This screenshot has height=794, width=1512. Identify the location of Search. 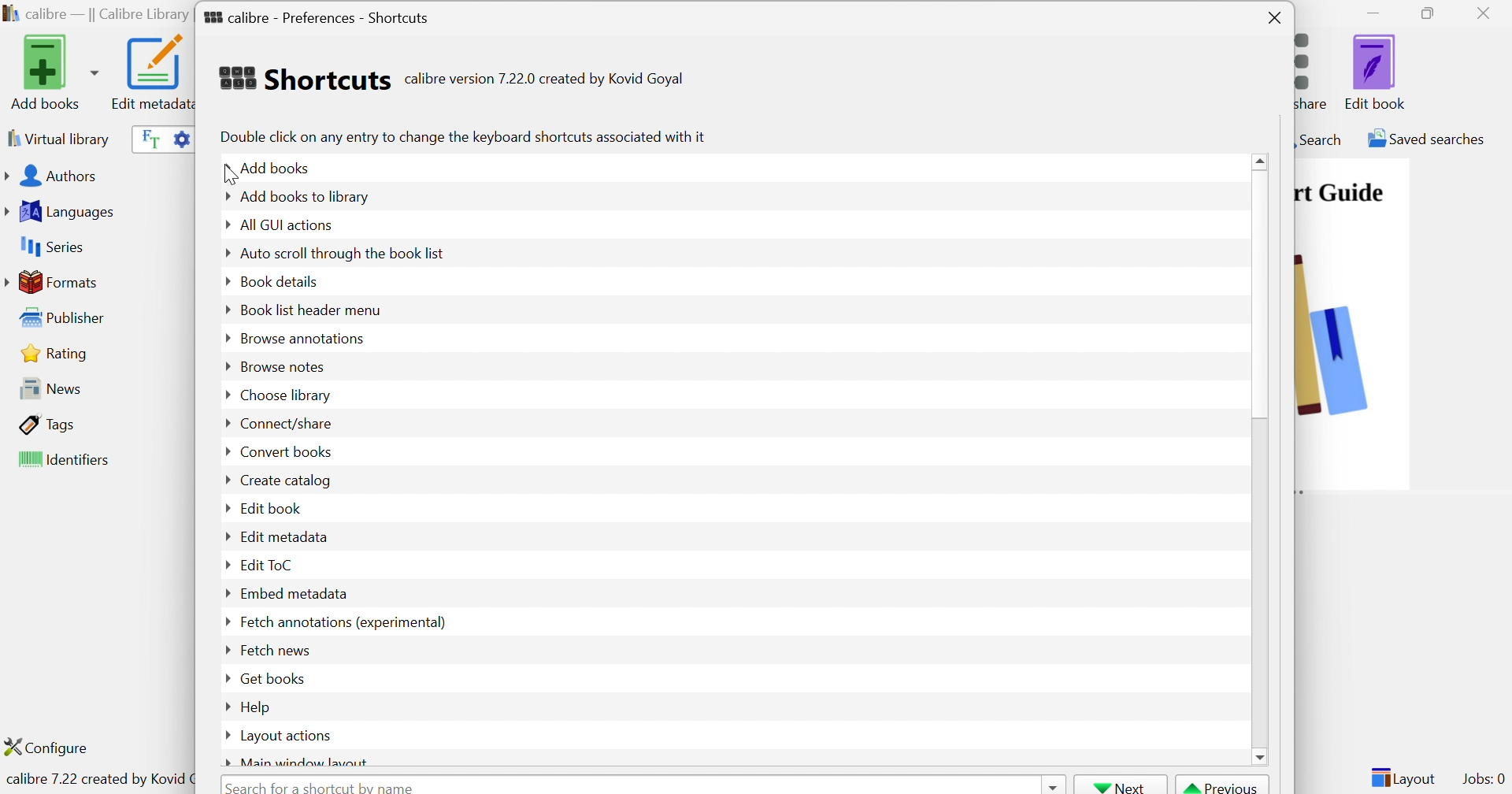
(1319, 139).